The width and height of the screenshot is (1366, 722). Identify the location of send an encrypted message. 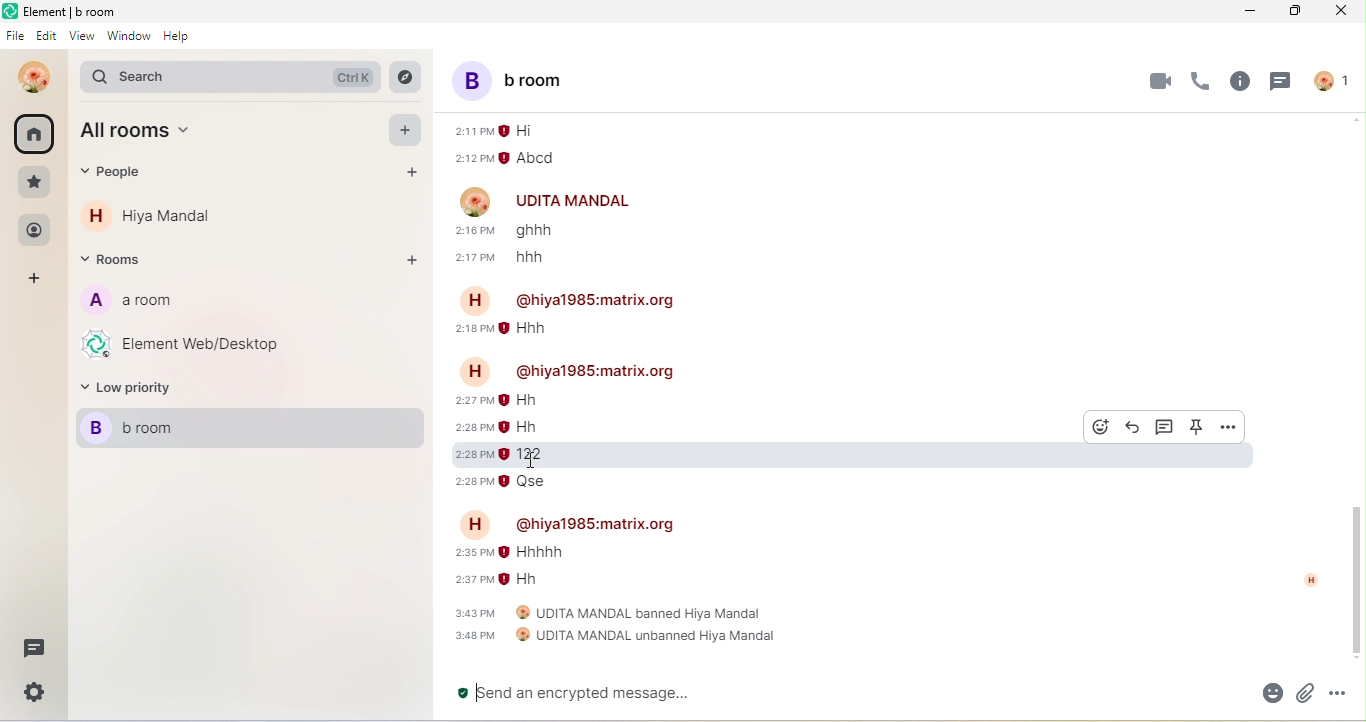
(590, 694).